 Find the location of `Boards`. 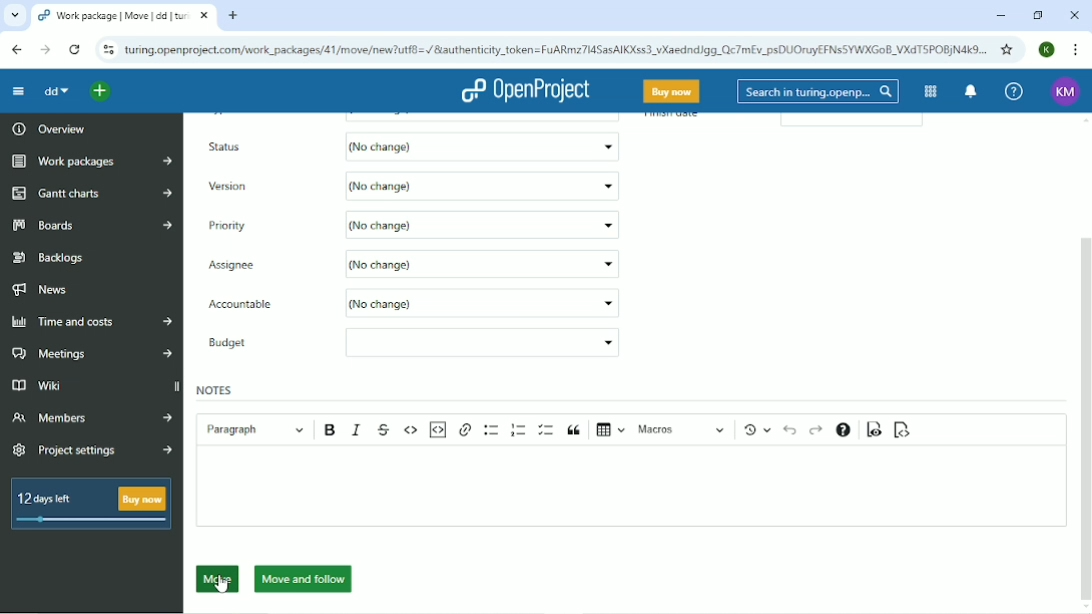

Boards is located at coordinates (93, 224).